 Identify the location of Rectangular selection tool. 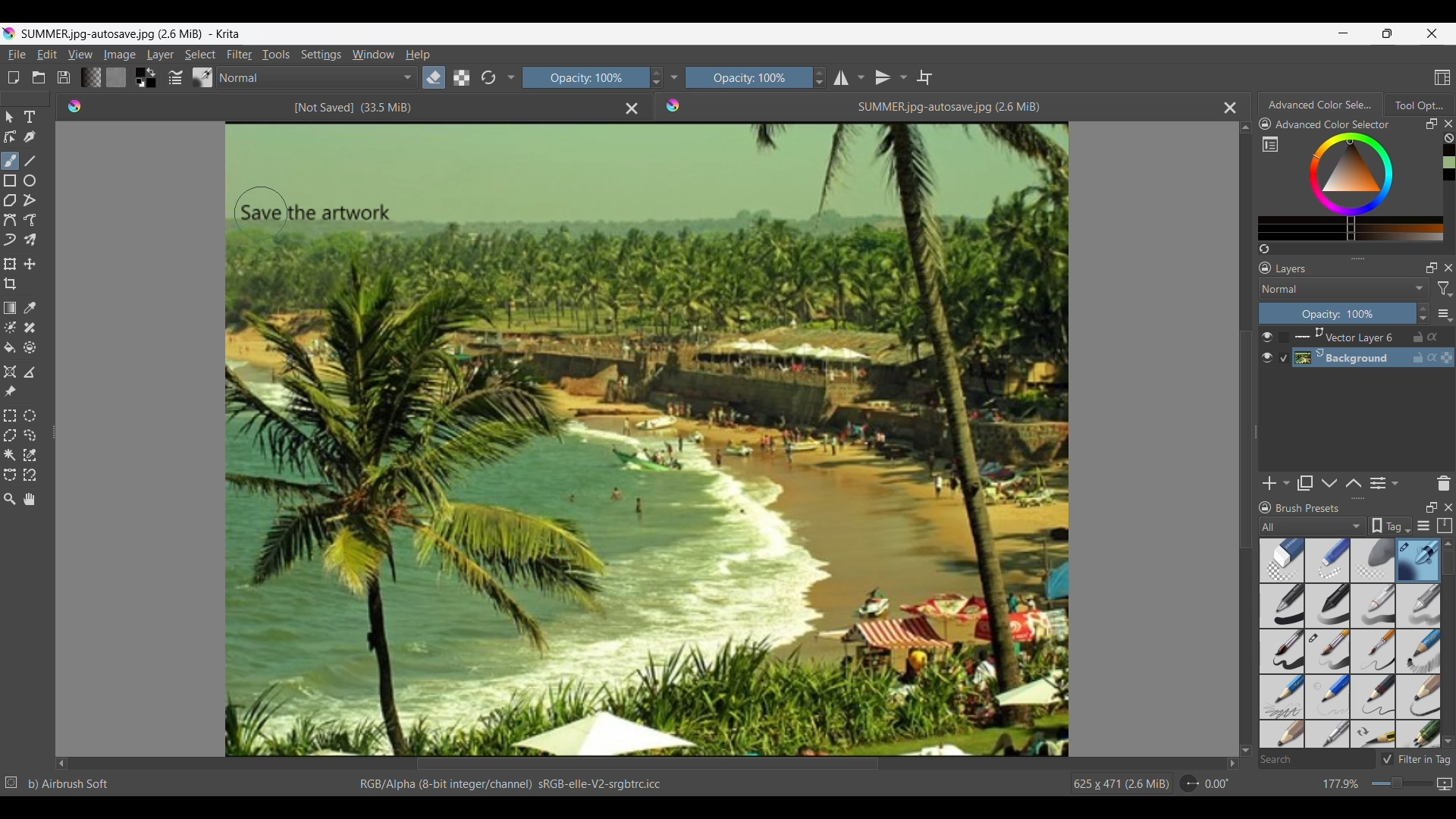
(9, 416).